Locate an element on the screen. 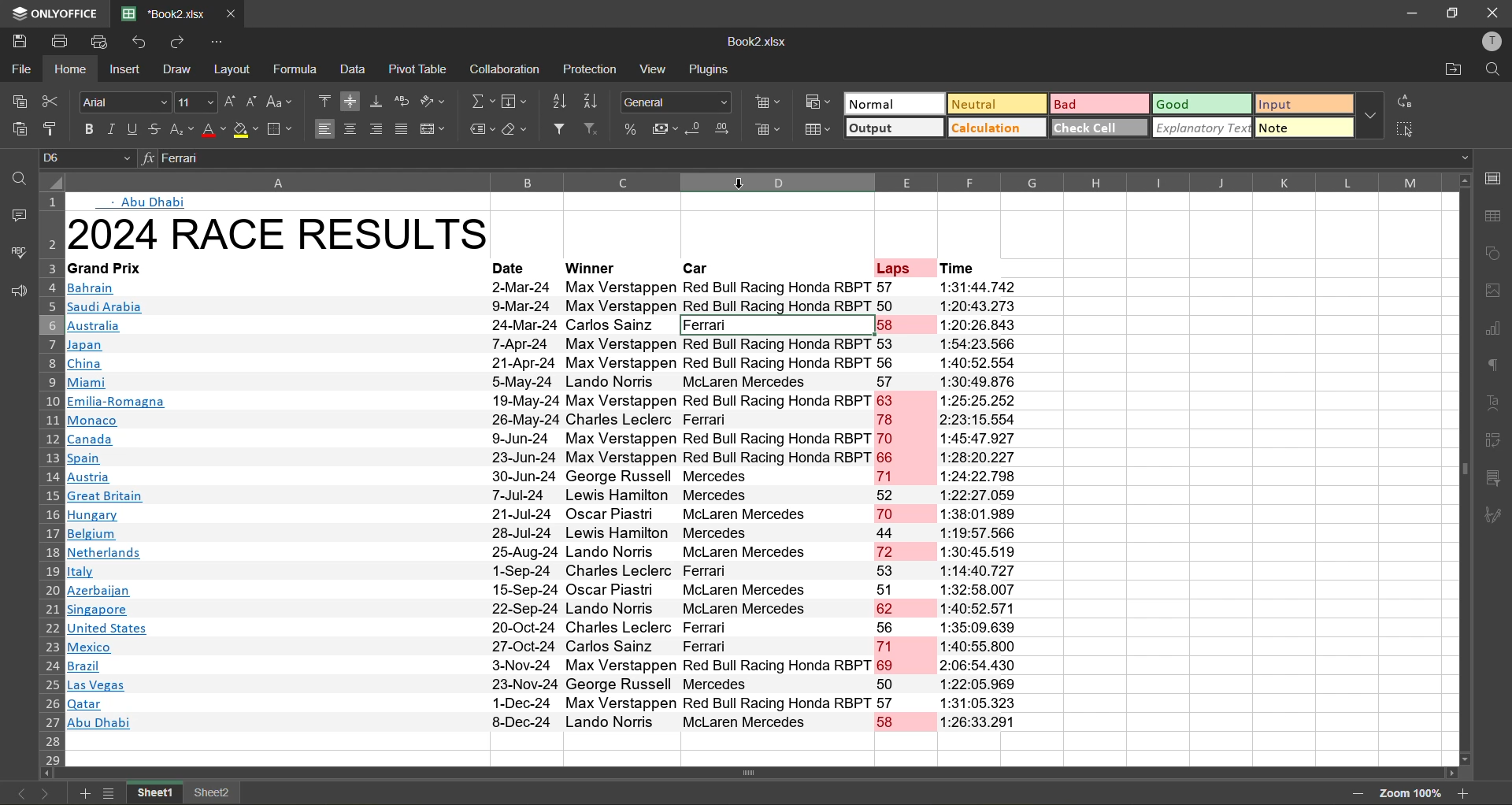 The image size is (1512, 805). slicer is located at coordinates (1498, 481).